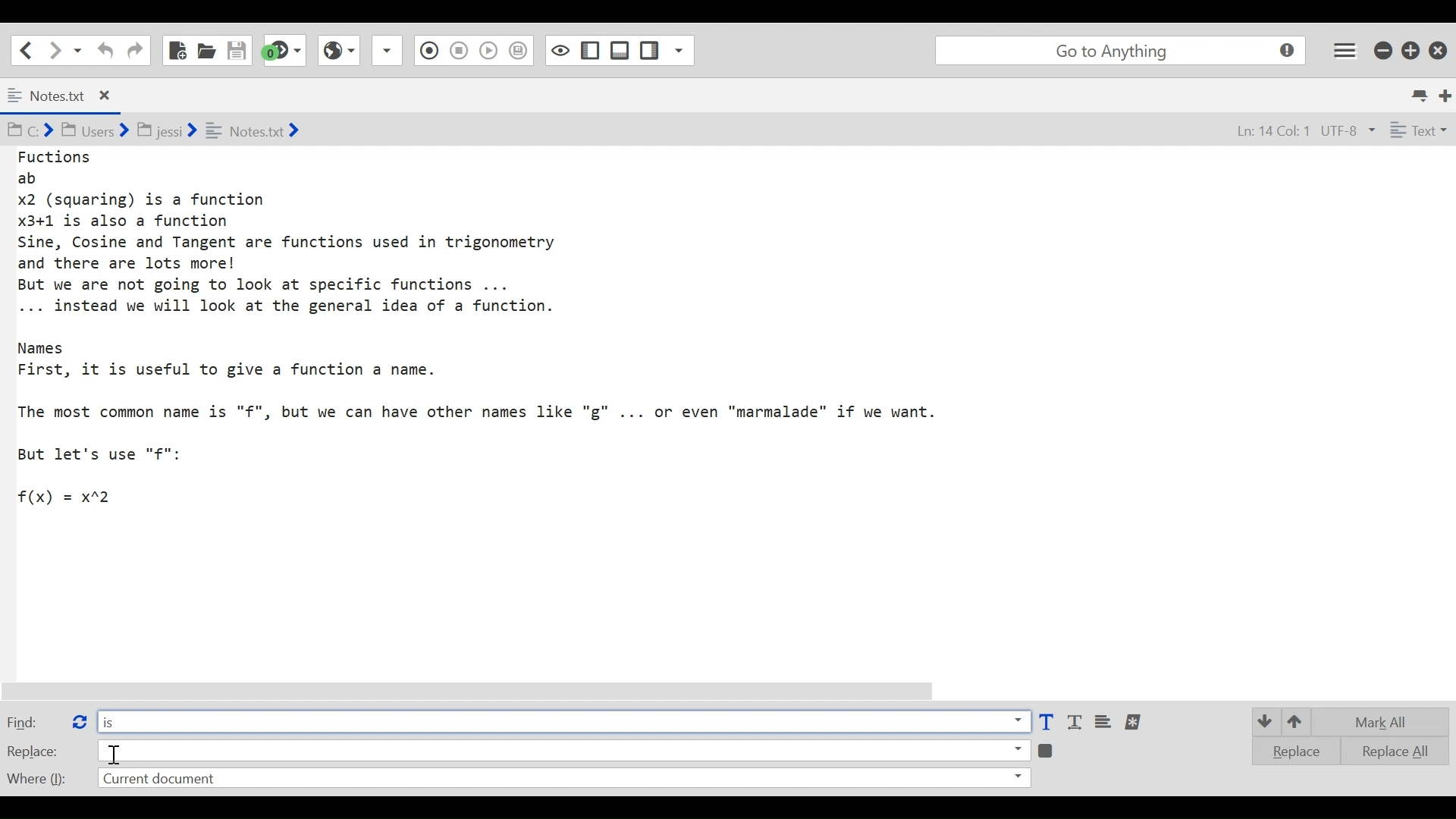 Image resolution: width=1456 pixels, height=819 pixels. I want to click on Replace, so click(33, 751).